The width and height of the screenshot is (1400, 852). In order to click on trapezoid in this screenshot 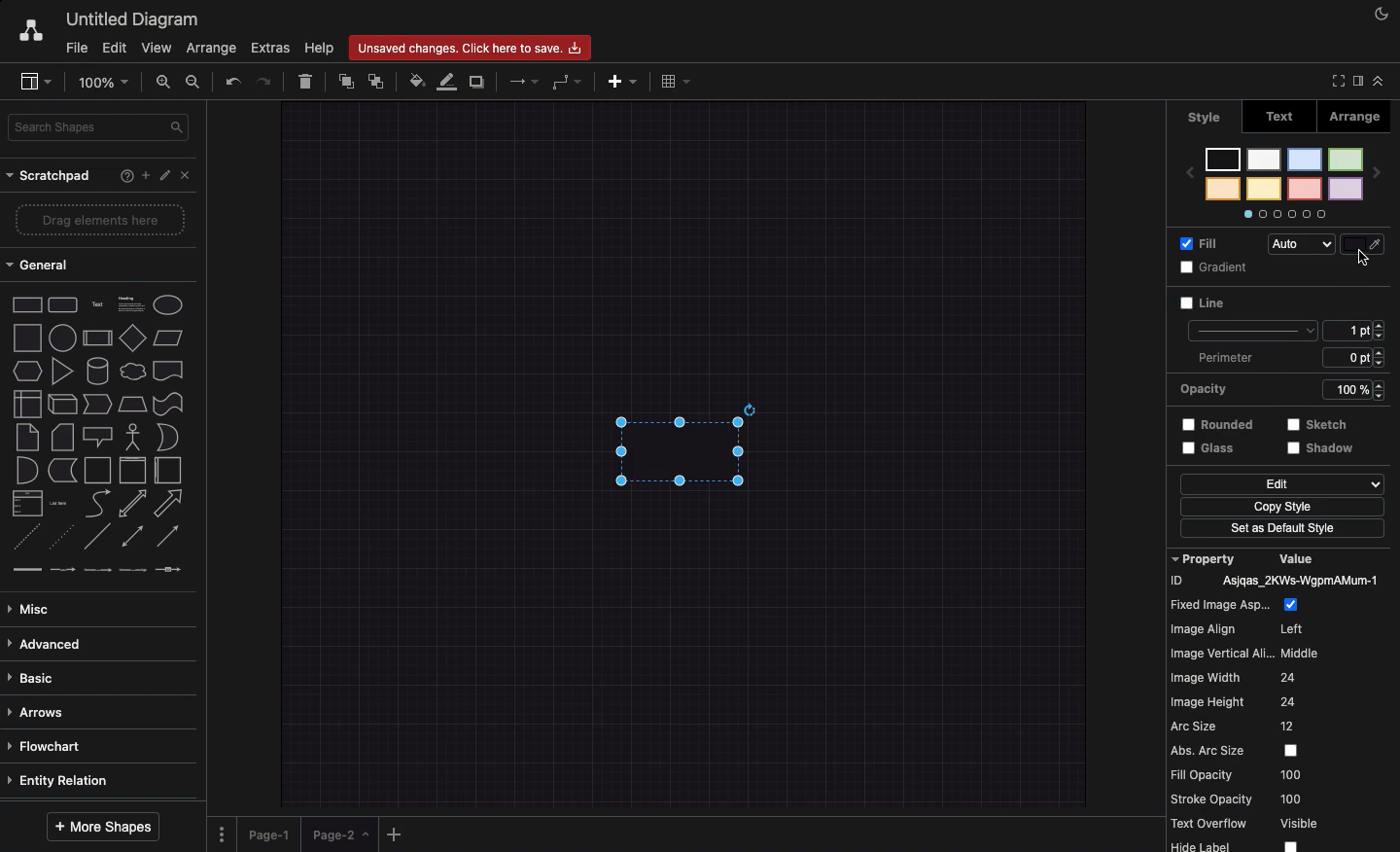, I will do `click(131, 403)`.